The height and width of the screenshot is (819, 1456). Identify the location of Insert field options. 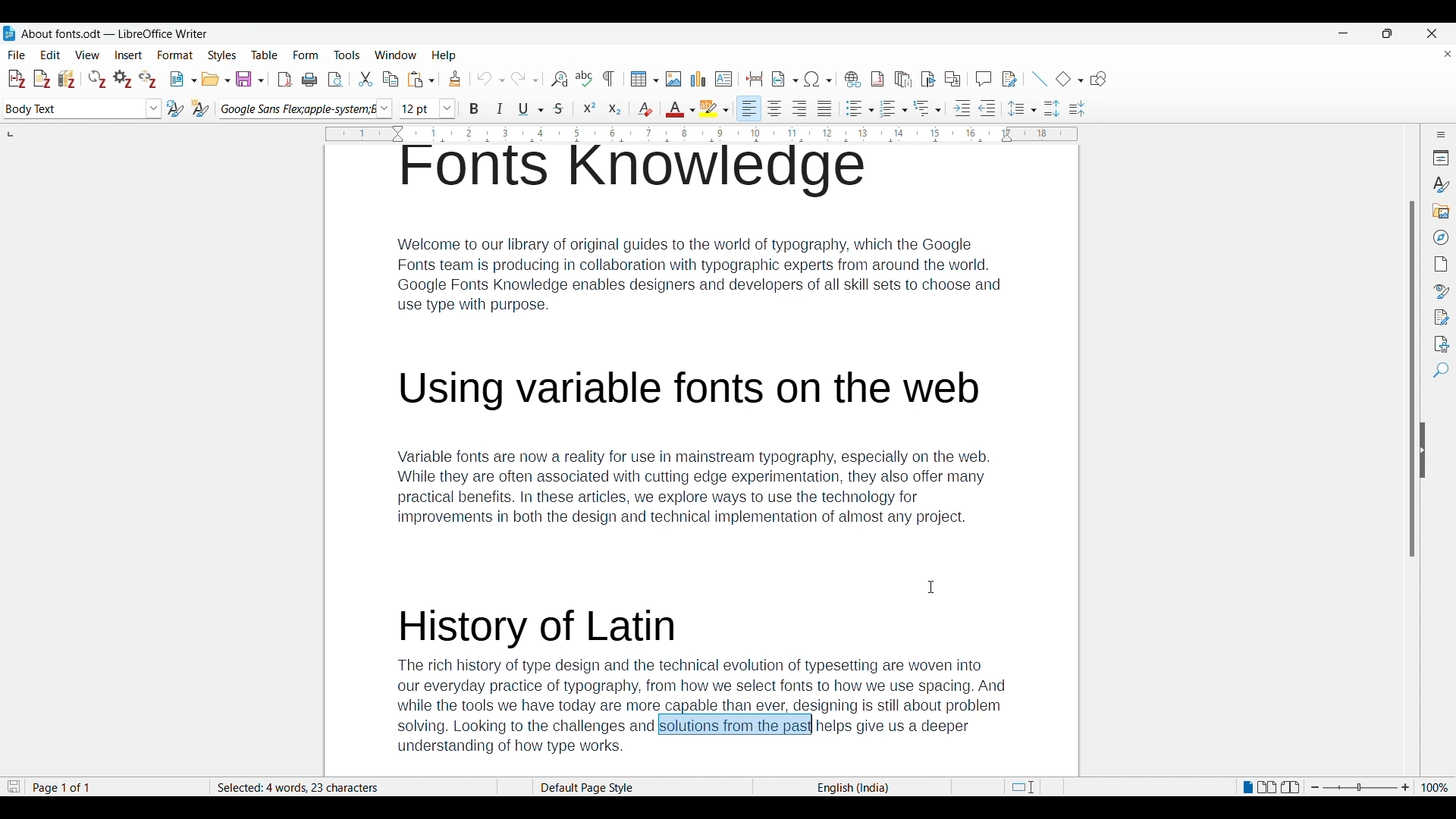
(785, 79).